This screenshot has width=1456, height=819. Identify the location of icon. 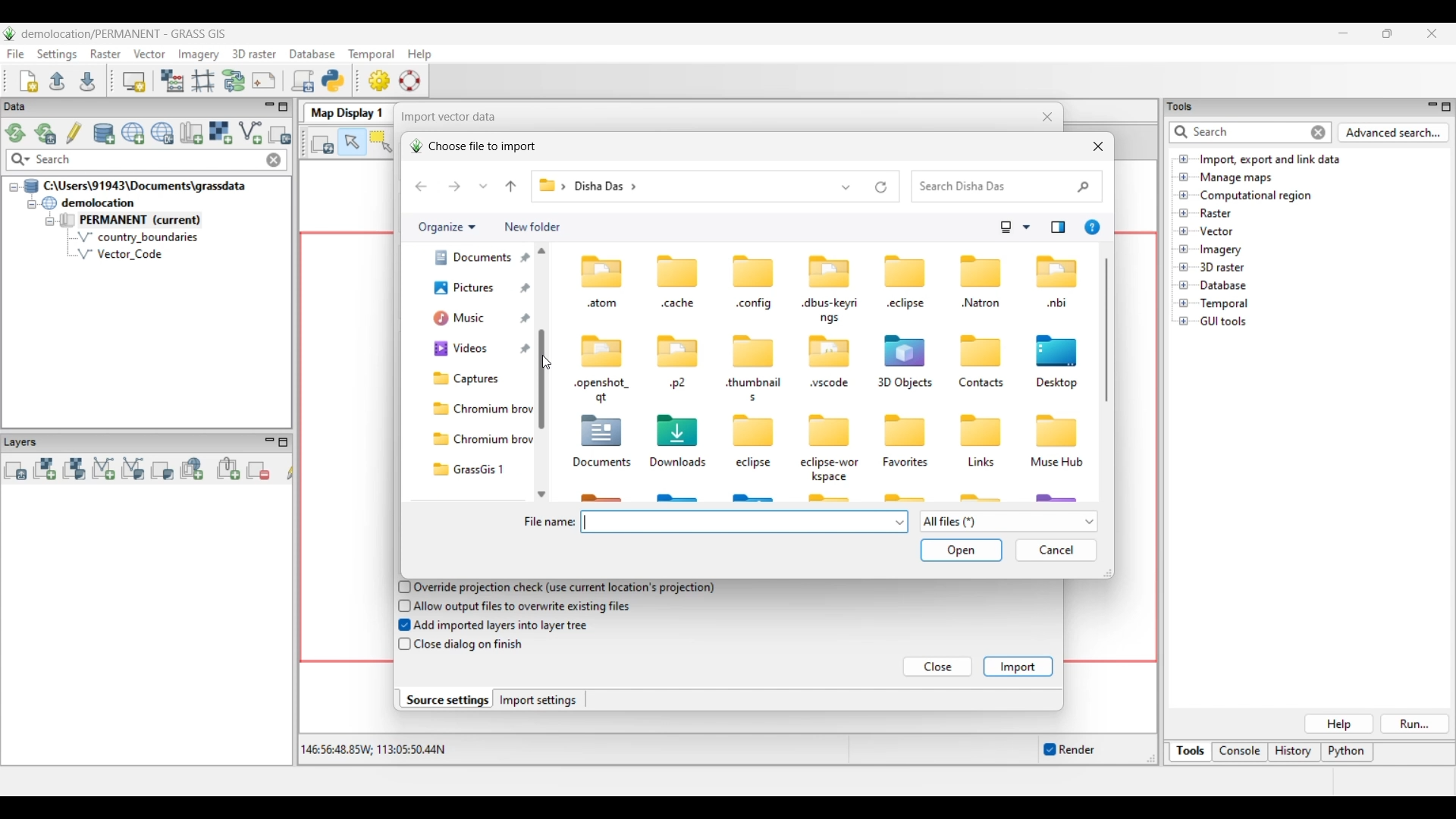
(679, 270).